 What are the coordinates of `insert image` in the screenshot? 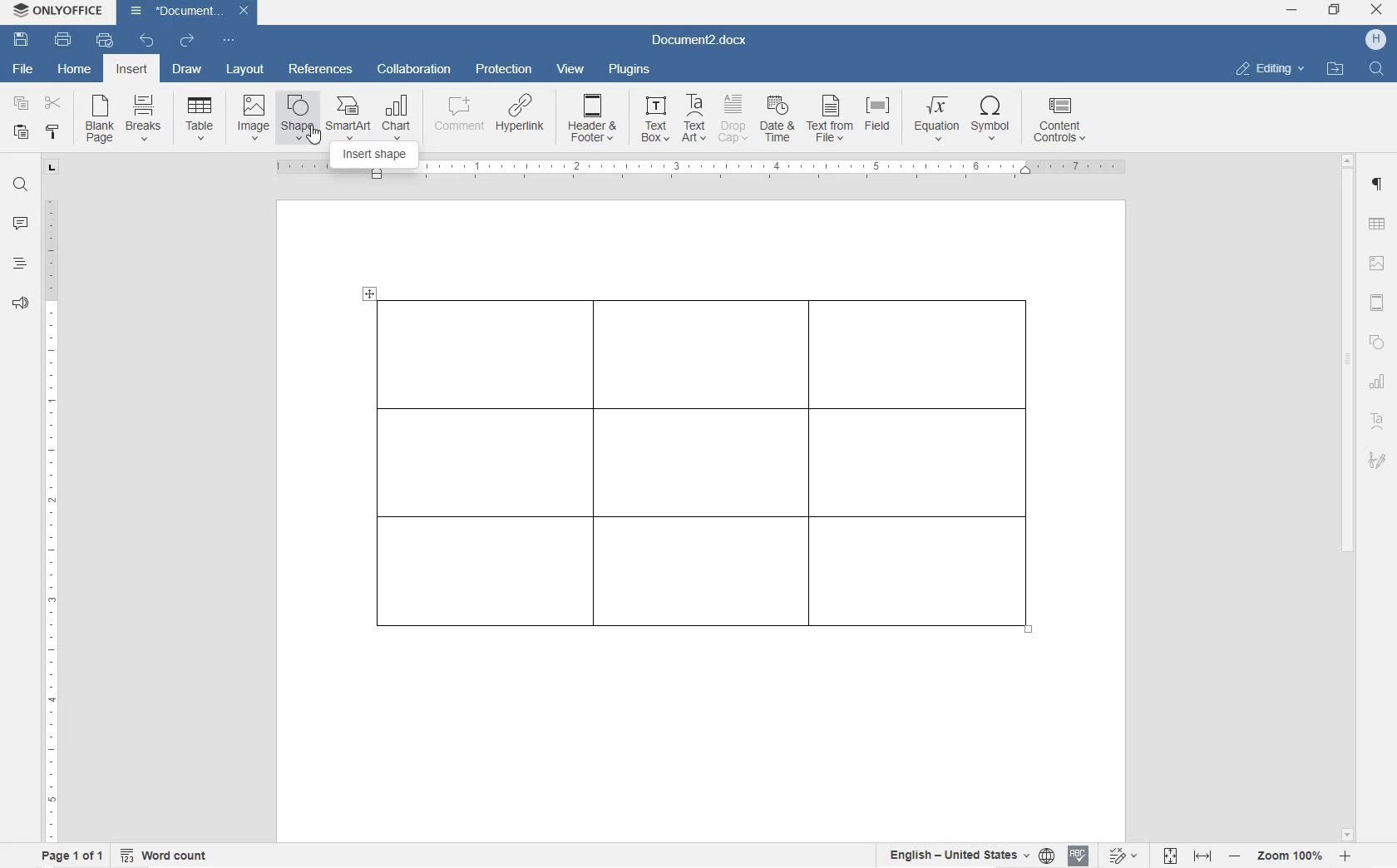 It's located at (254, 116).